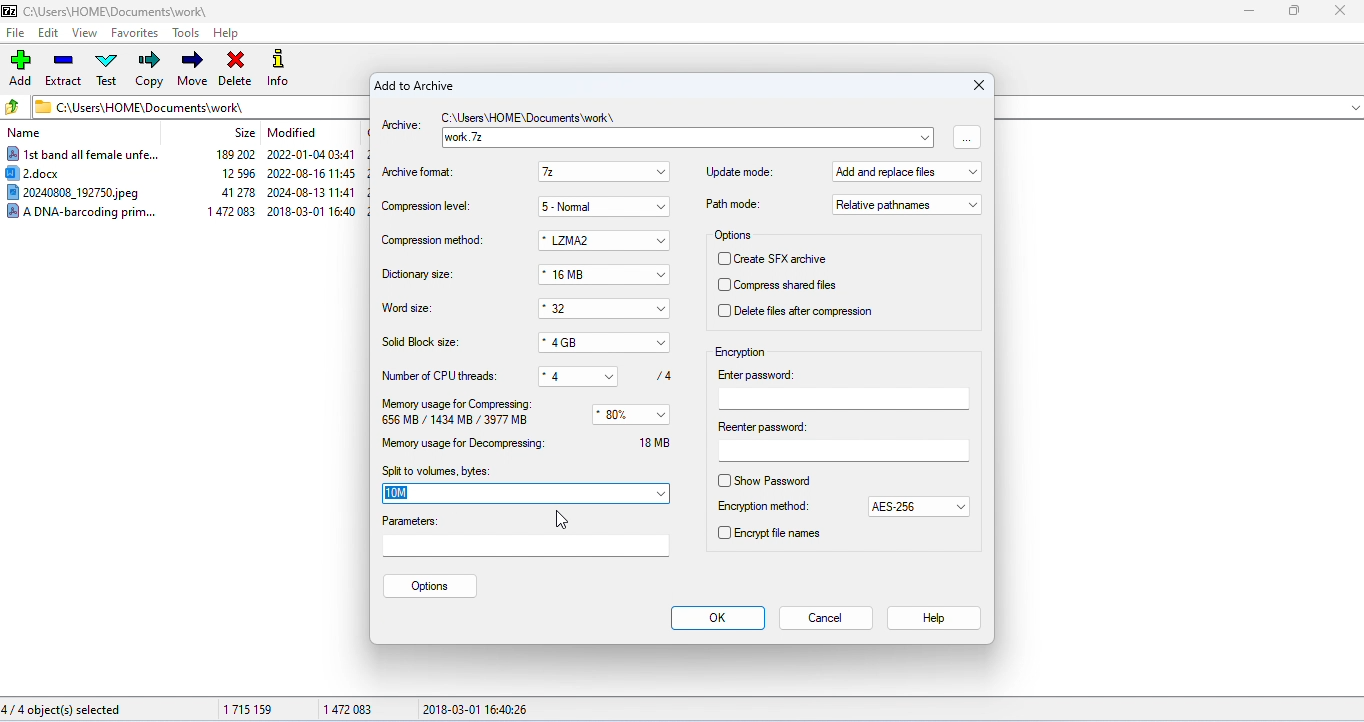 This screenshot has width=1364, height=722. I want to click on options, so click(431, 586).